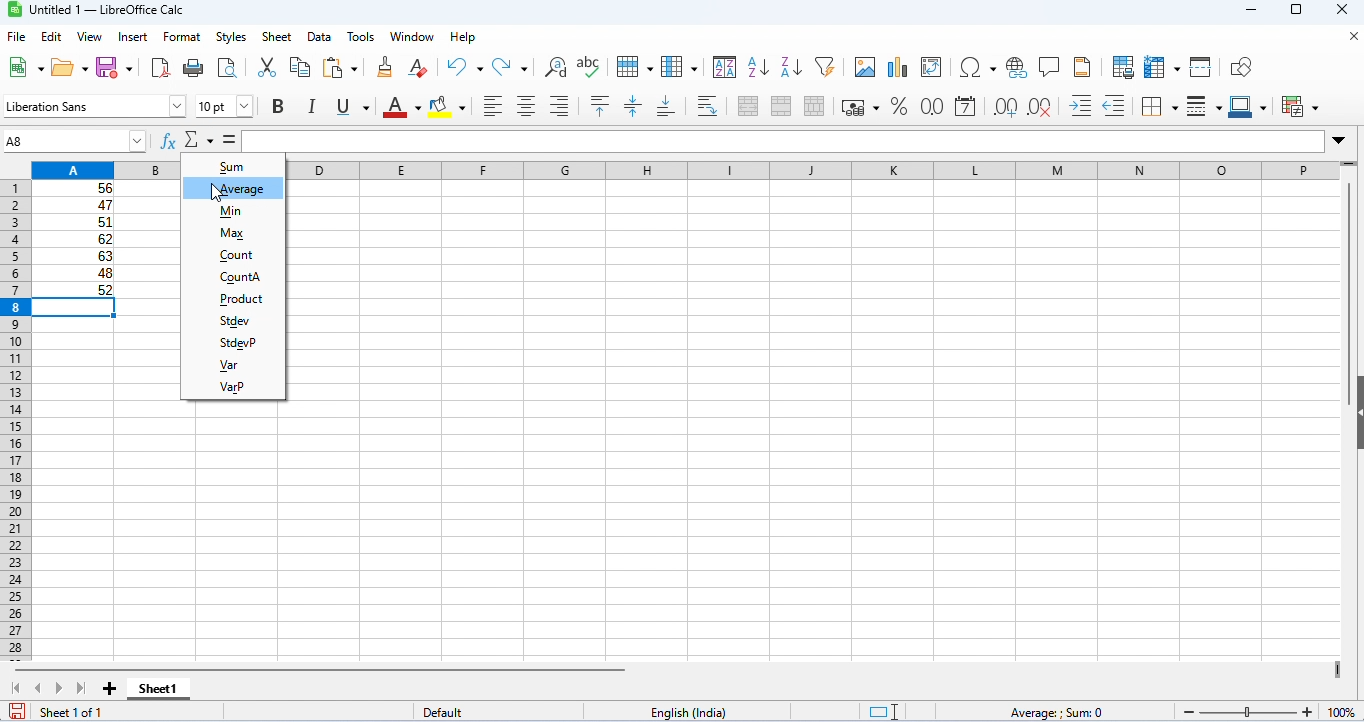 Image resolution: width=1364 pixels, height=722 pixels. Describe the element at coordinates (170, 140) in the screenshot. I see `function wizard` at that location.